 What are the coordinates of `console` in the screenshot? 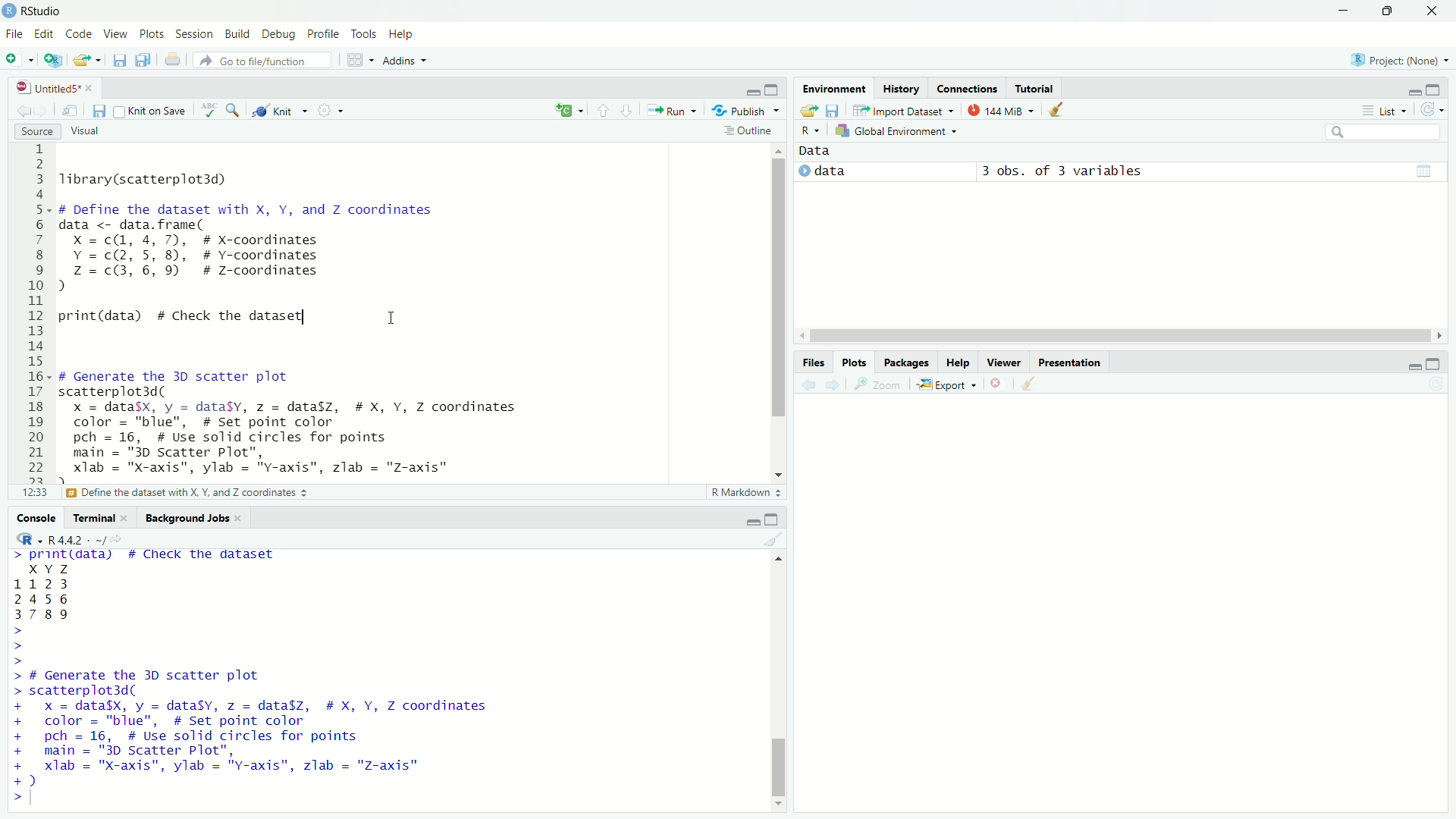 It's located at (29, 517).